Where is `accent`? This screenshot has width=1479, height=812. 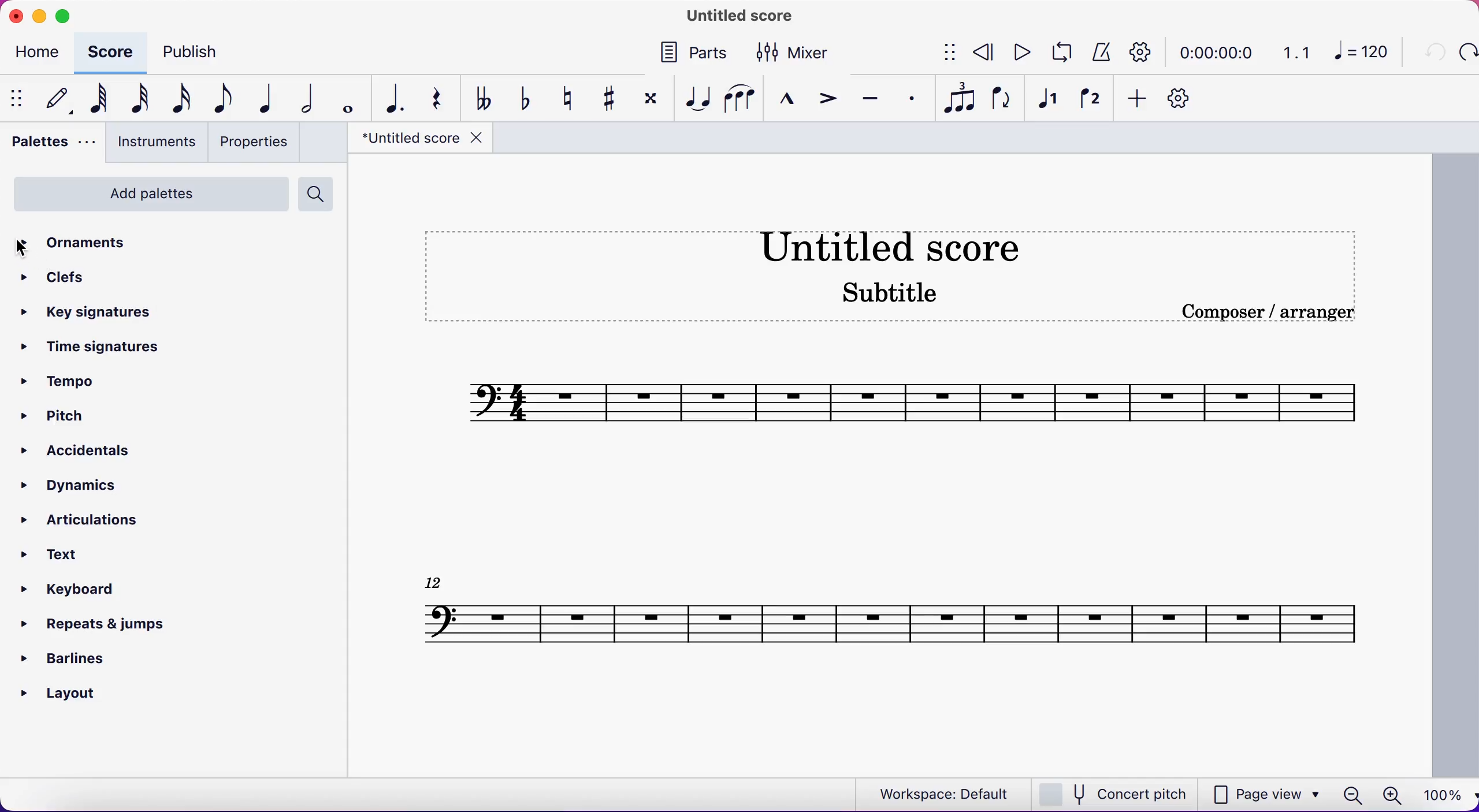 accent is located at coordinates (827, 98).